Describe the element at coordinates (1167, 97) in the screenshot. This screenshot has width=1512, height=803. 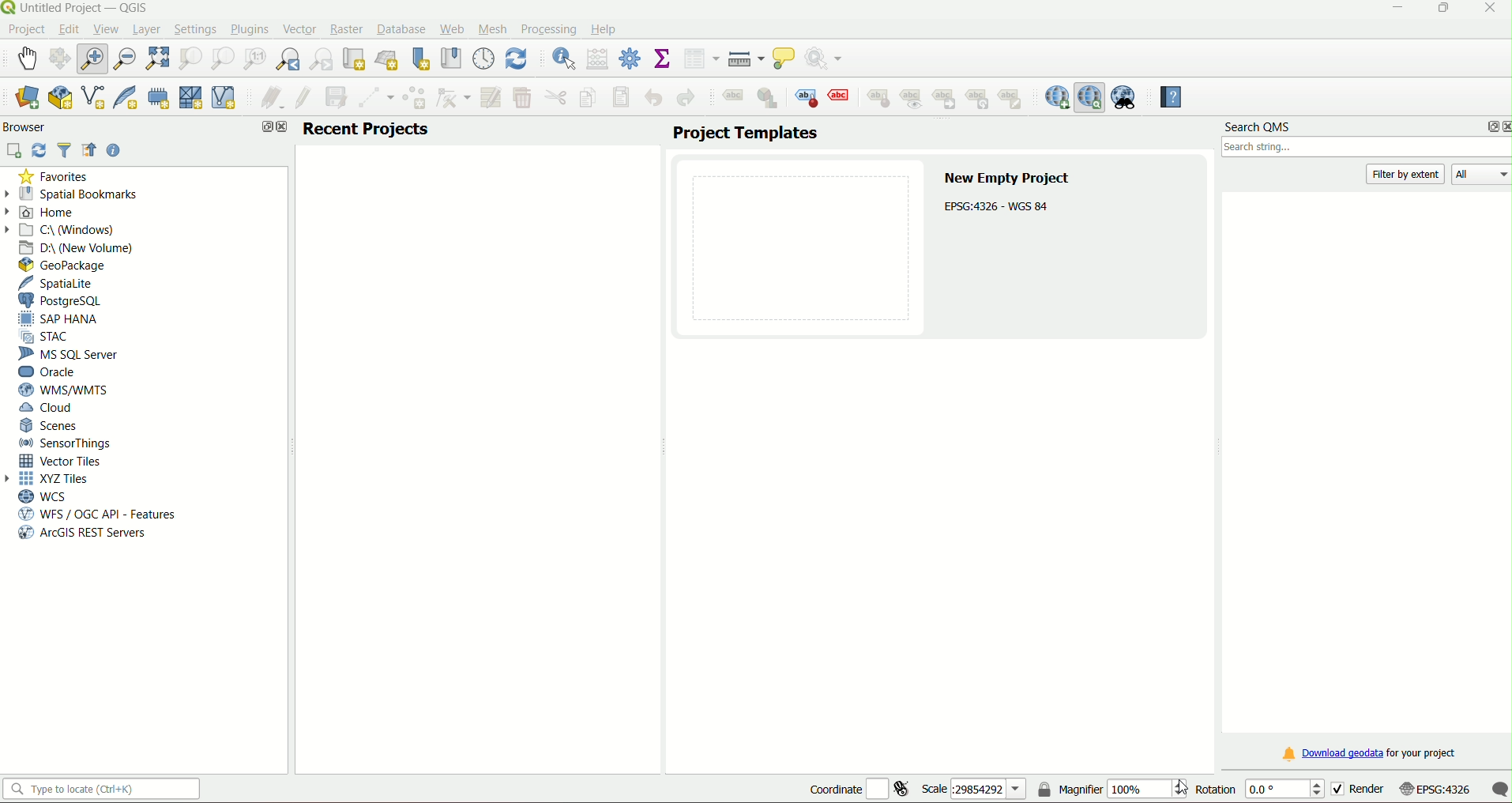
I see `help` at that location.